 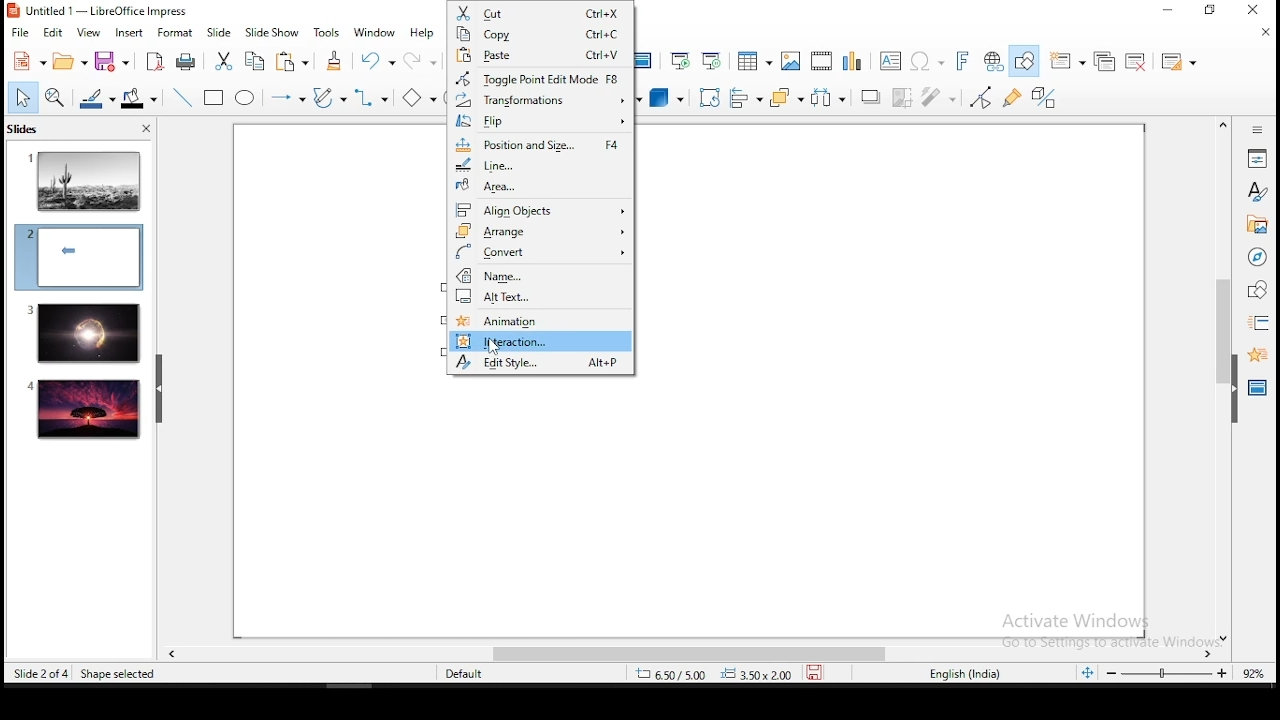 What do you see at coordinates (540, 163) in the screenshot?
I see `line` at bounding box center [540, 163].